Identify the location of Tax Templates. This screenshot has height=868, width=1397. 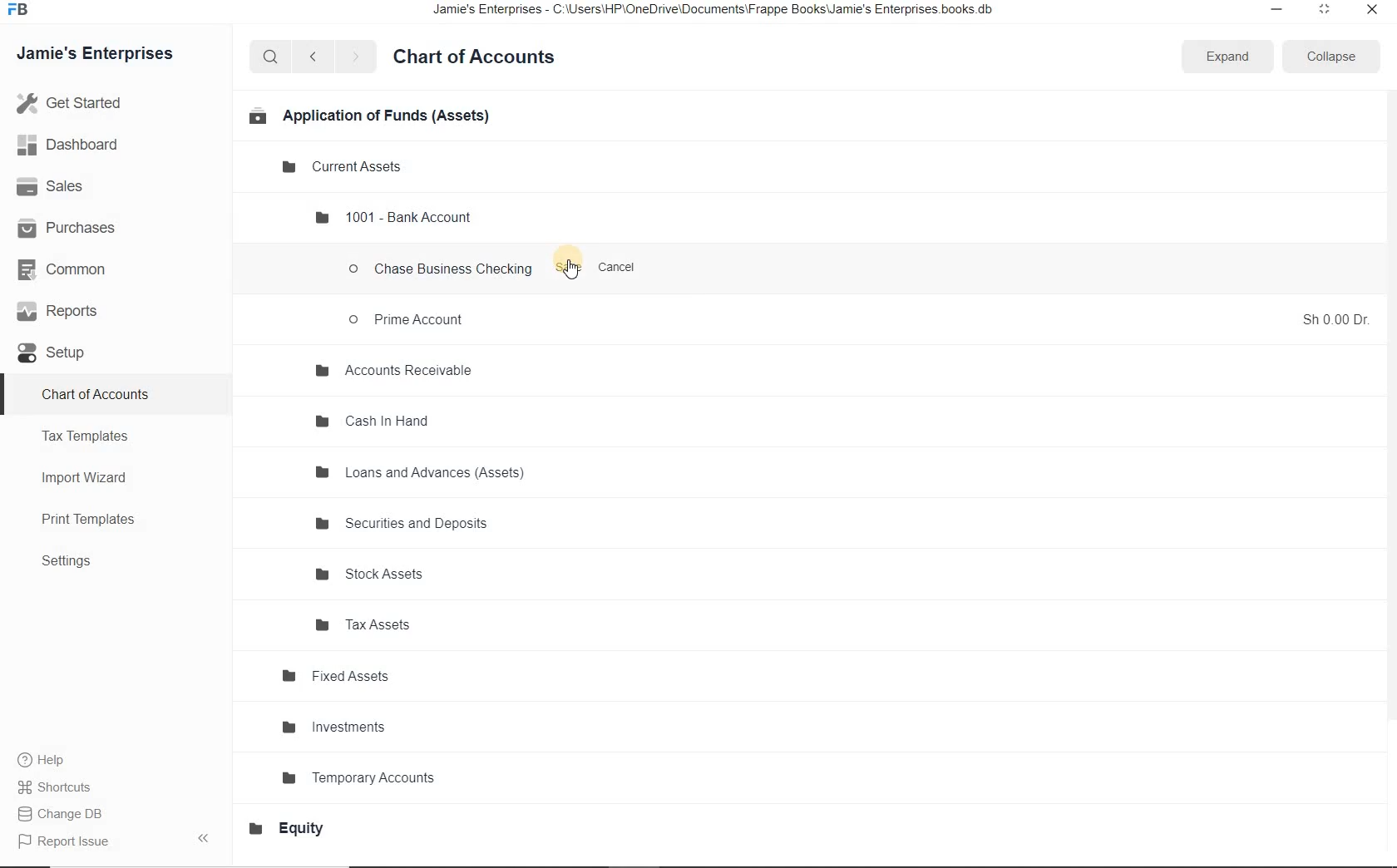
(91, 436).